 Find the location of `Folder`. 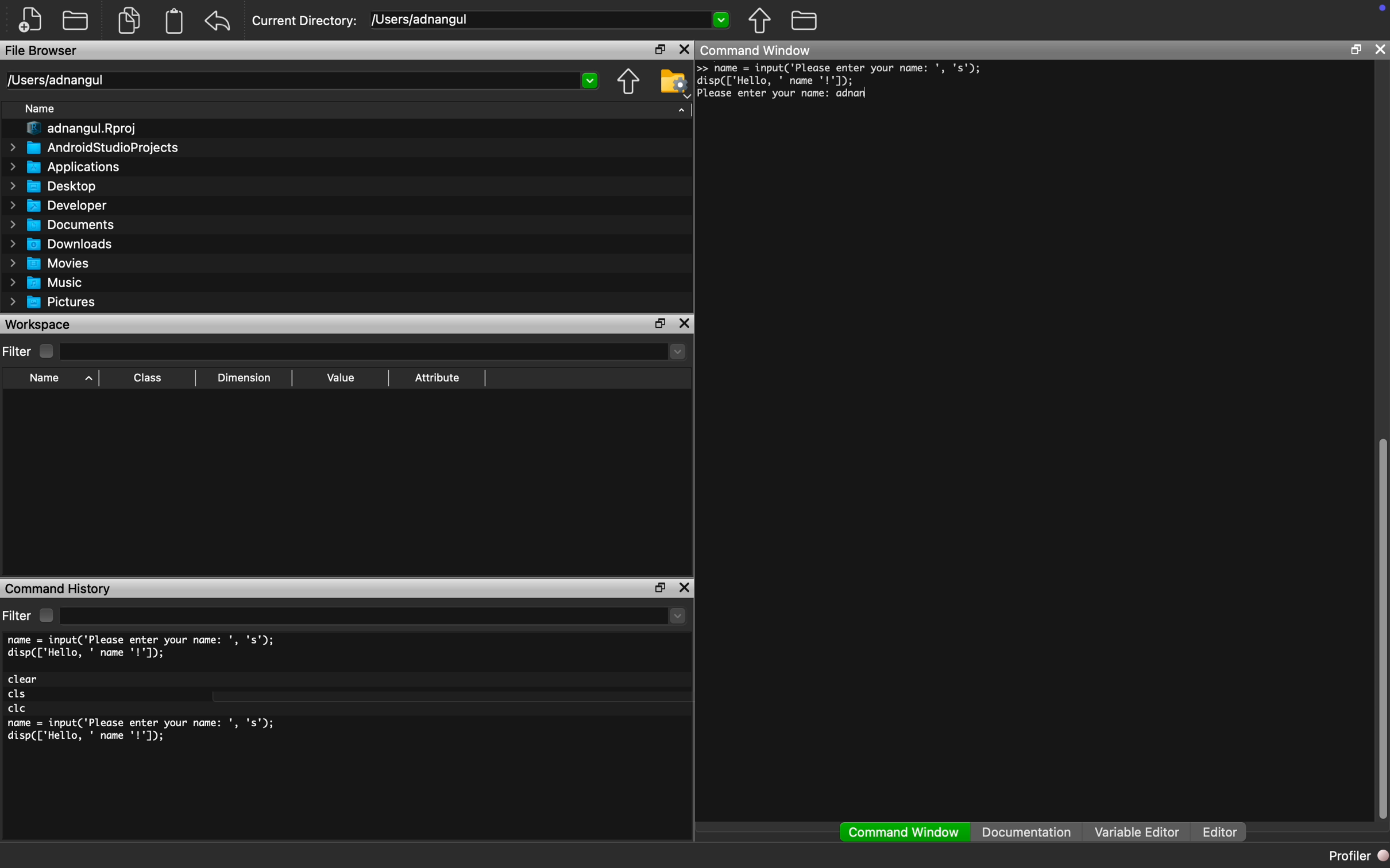

Folder is located at coordinates (75, 20).